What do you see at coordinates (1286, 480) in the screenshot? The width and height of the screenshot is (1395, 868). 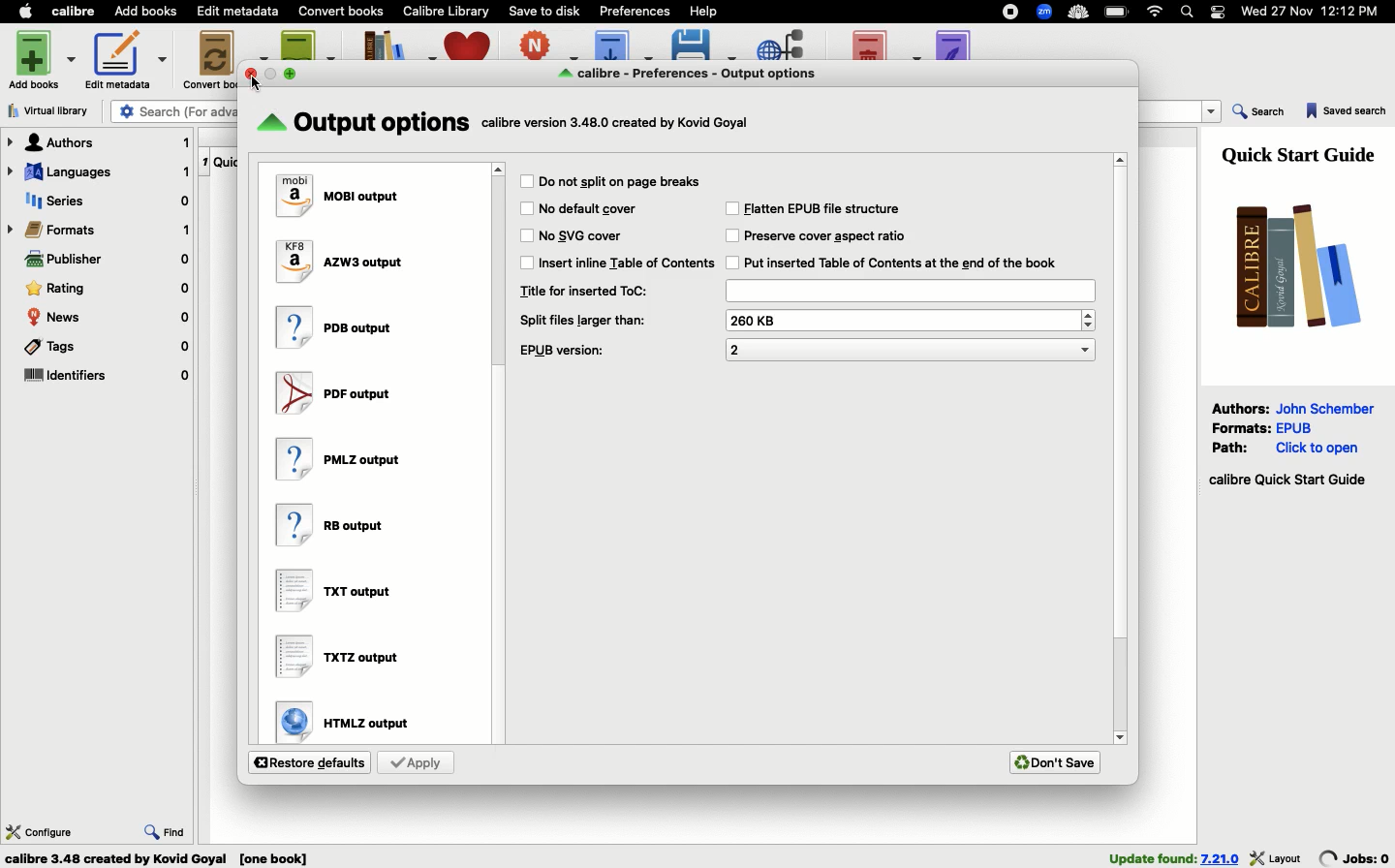 I see `Start guide` at bounding box center [1286, 480].